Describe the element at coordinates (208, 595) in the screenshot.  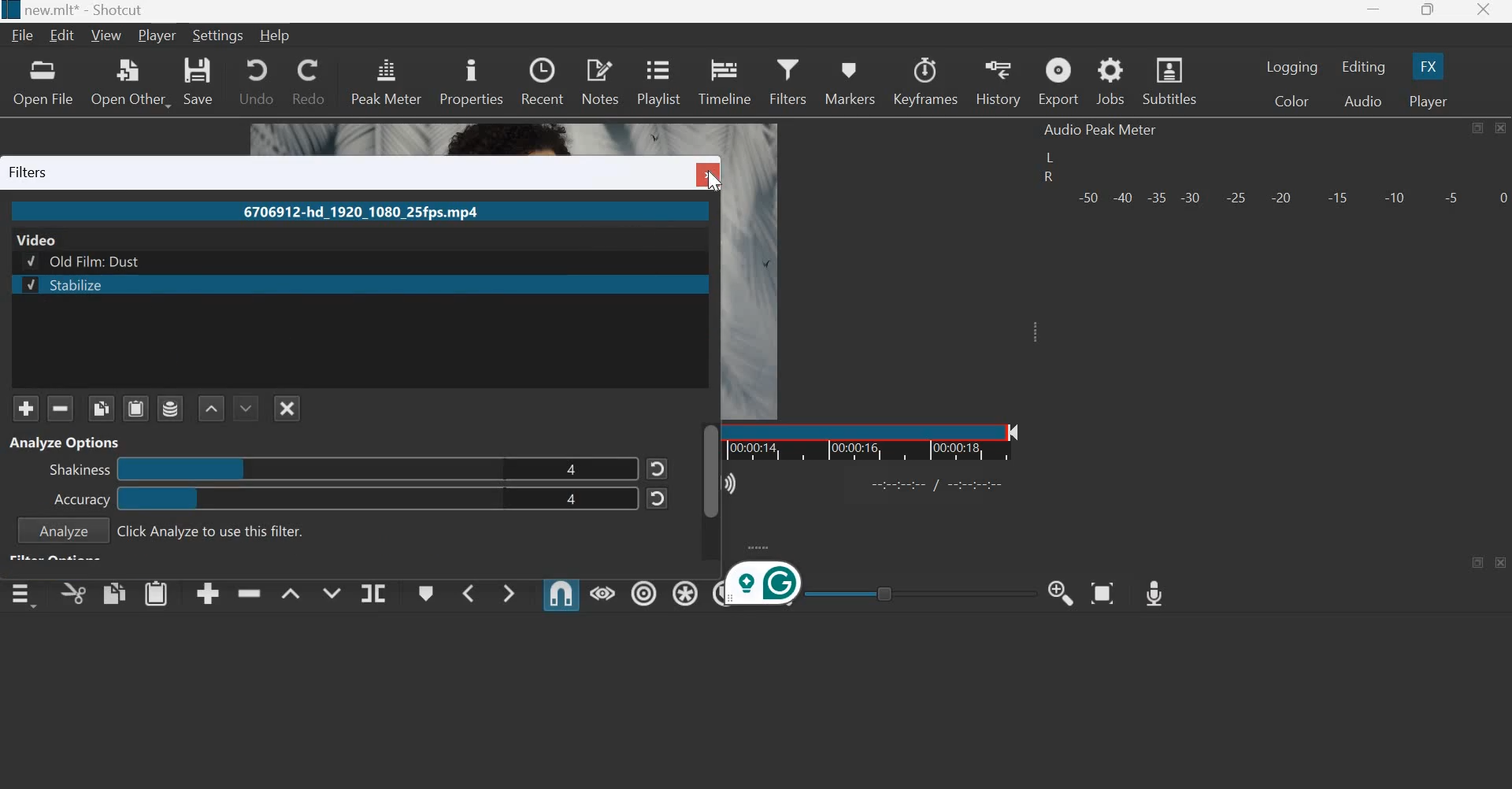
I see `append` at that location.